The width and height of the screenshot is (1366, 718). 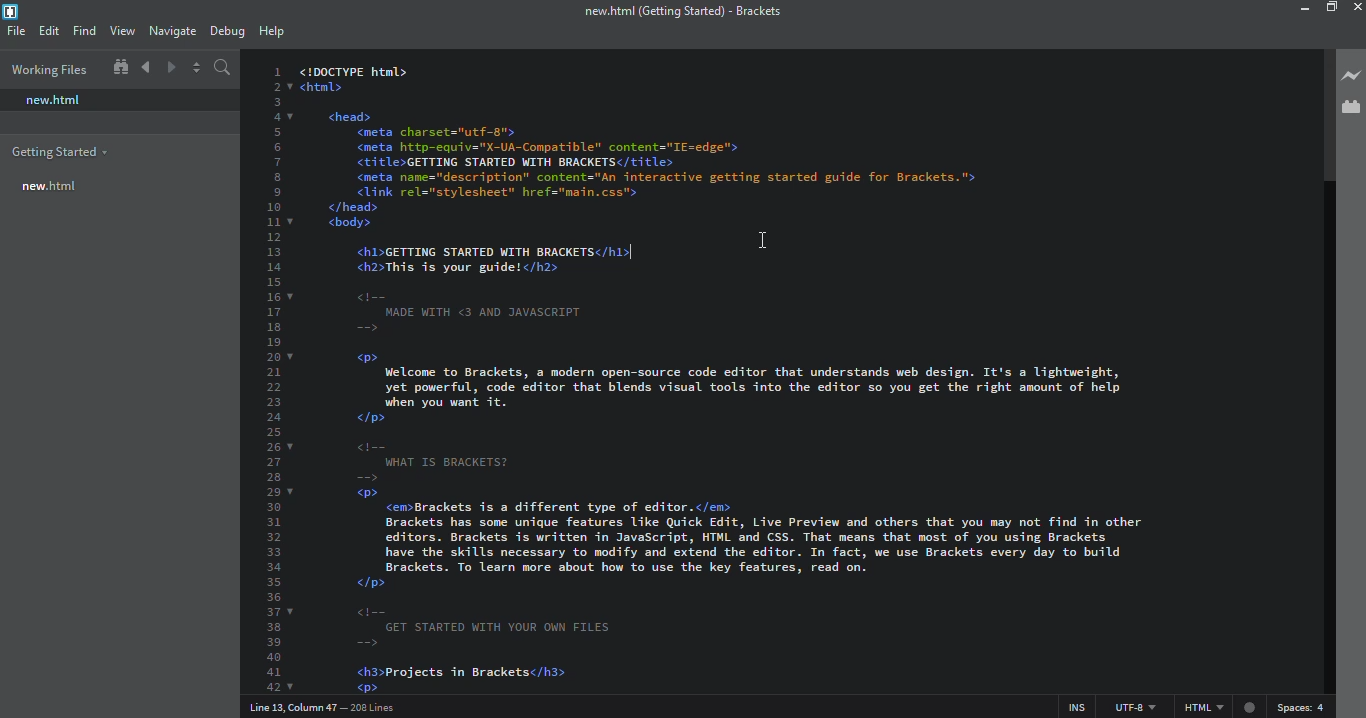 What do you see at coordinates (269, 377) in the screenshot?
I see `line number` at bounding box center [269, 377].